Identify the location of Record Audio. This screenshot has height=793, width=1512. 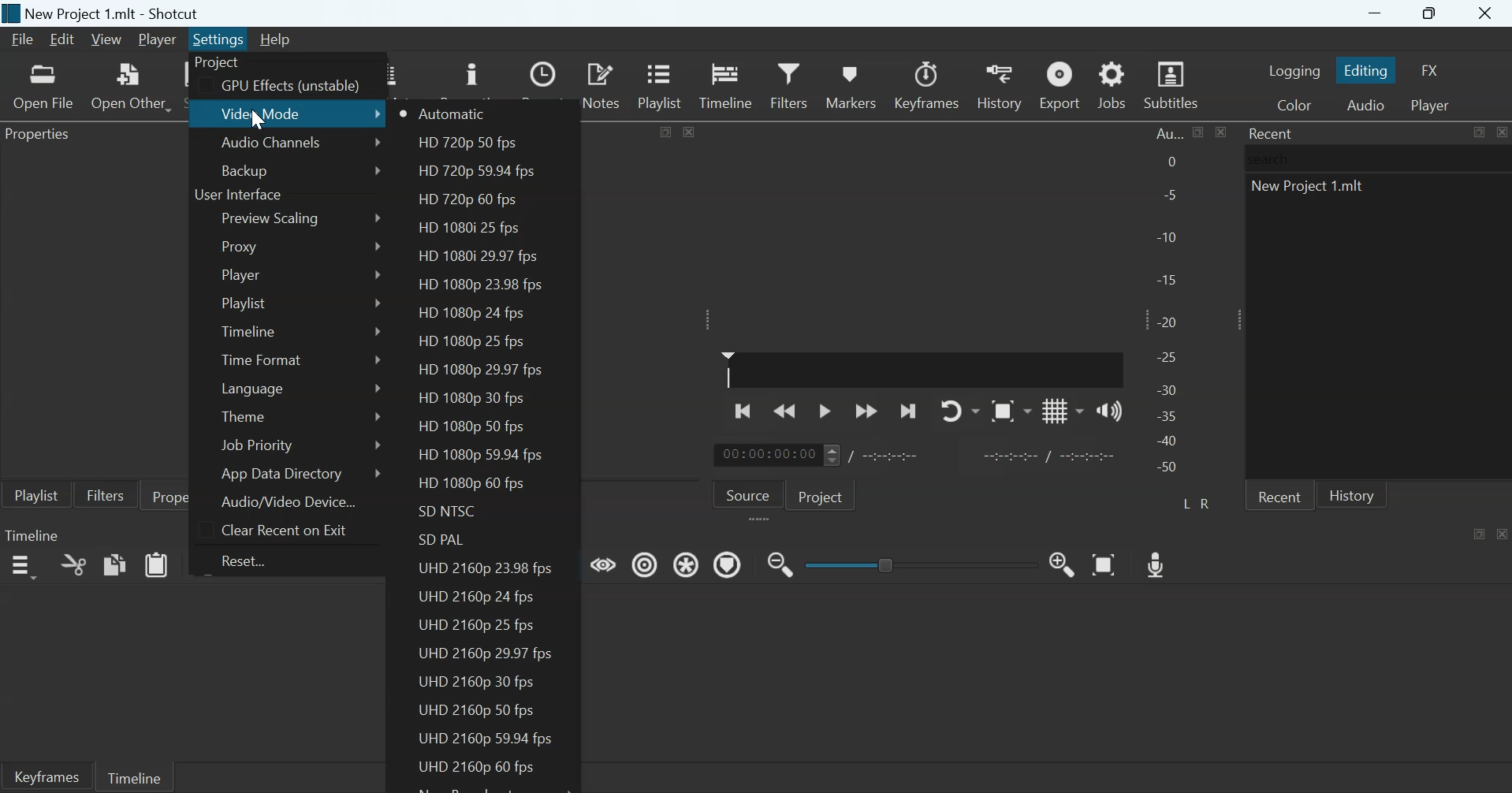
(1158, 563).